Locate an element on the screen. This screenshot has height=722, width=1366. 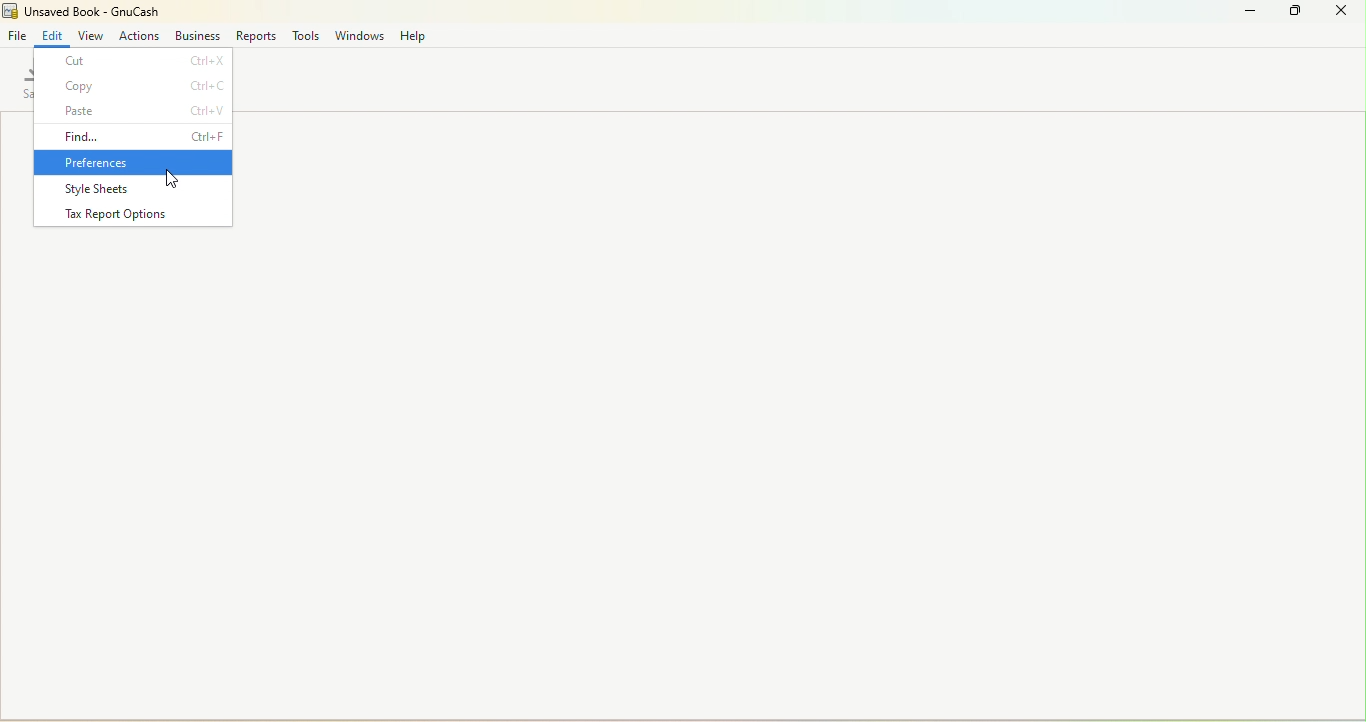
Actions is located at coordinates (140, 34).